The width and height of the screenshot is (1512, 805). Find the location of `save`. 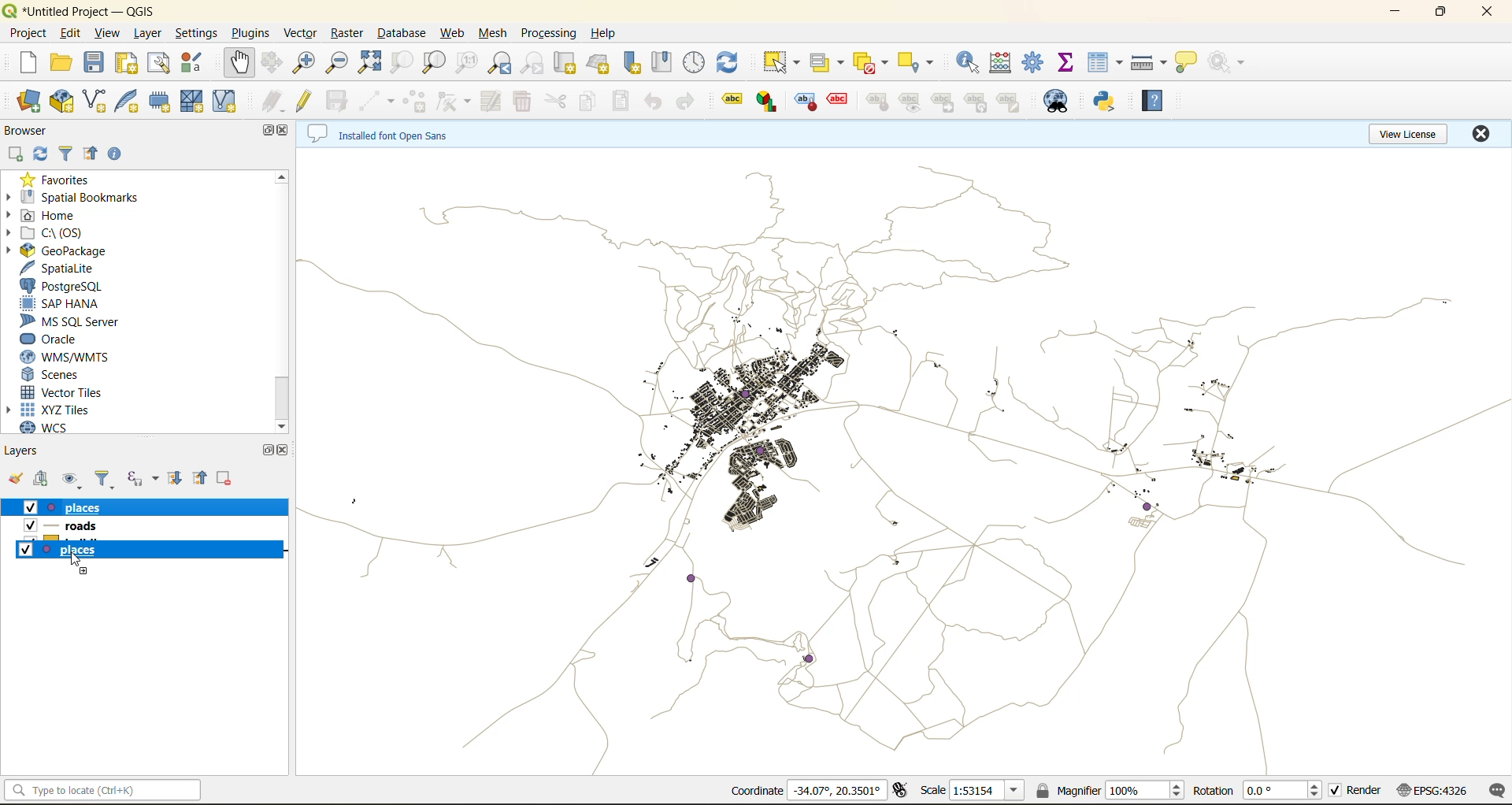

save is located at coordinates (97, 65).